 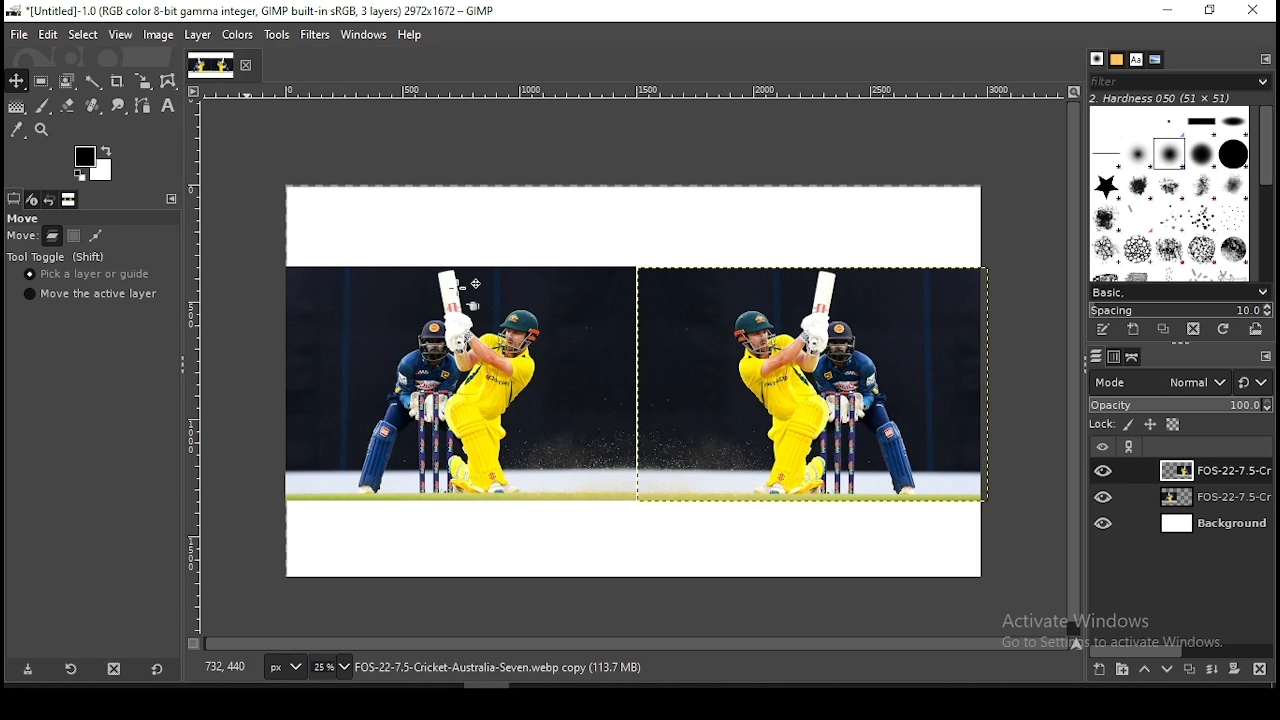 I want to click on move the active layer, so click(x=88, y=294).